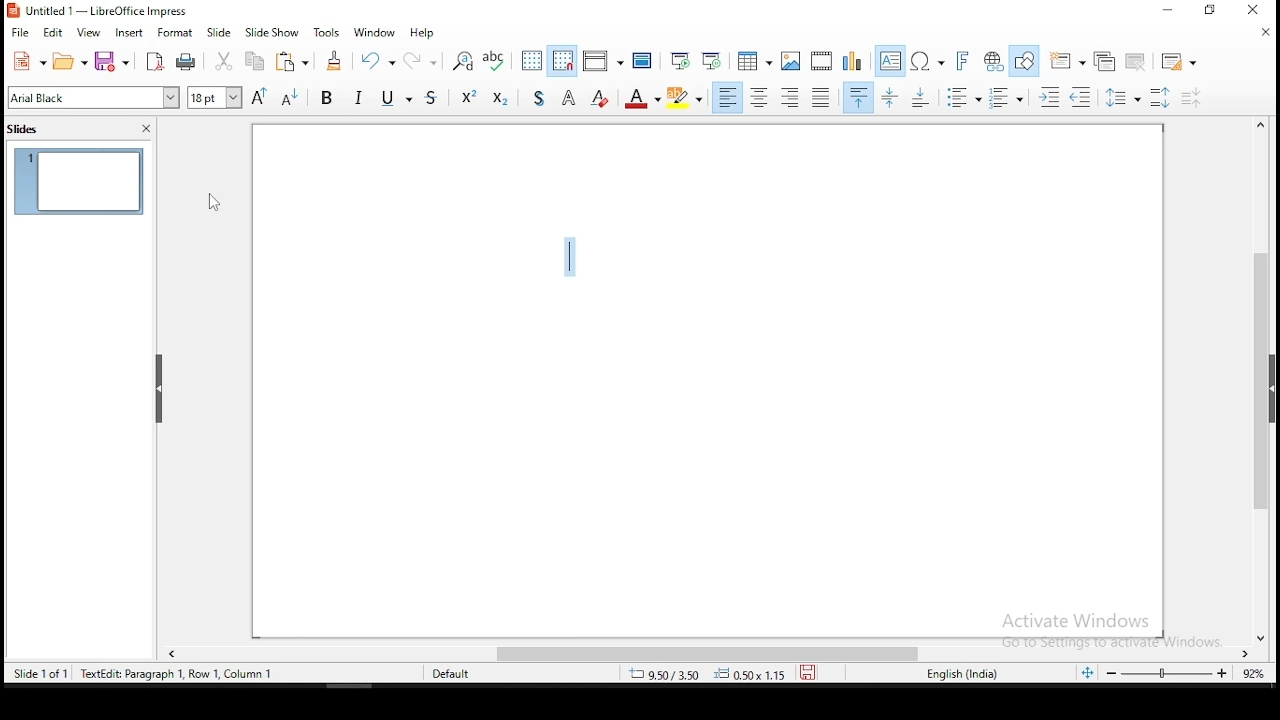  I want to click on display grid, so click(533, 61).